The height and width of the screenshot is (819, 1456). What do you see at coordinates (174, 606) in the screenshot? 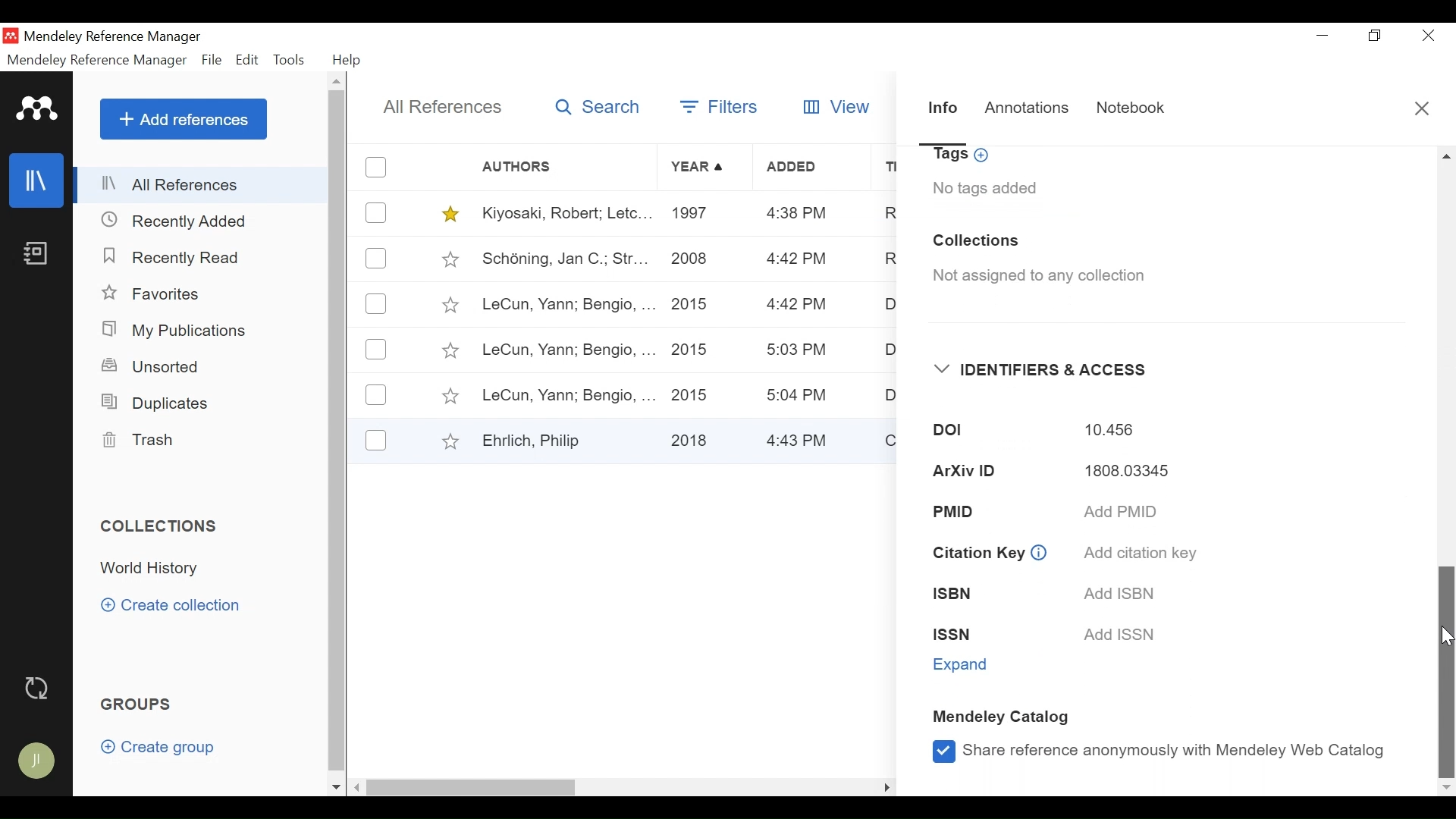
I see `Create Category` at bounding box center [174, 606].